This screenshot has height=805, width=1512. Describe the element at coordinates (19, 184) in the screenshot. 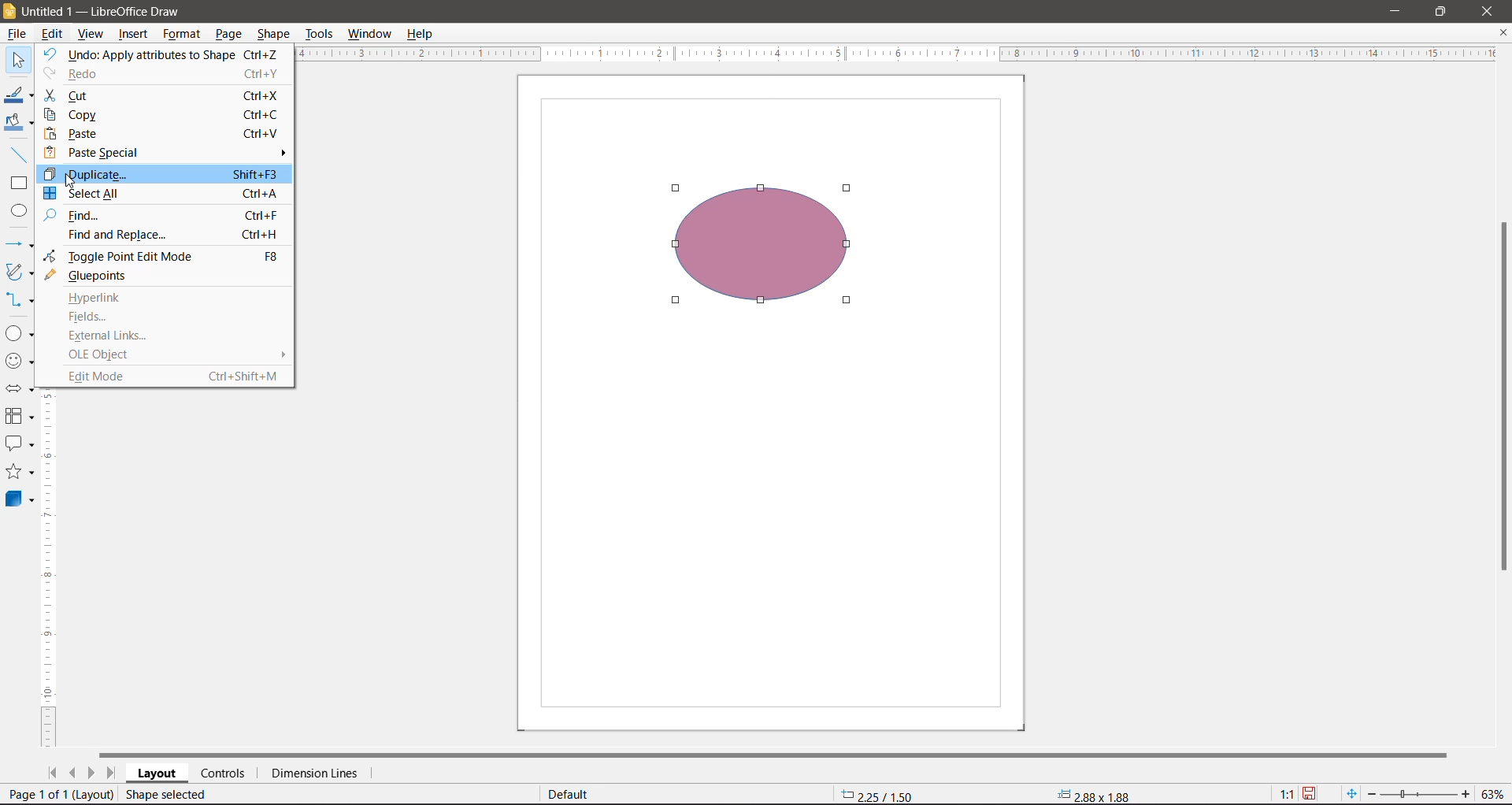

I see `Rectangle` at that location.